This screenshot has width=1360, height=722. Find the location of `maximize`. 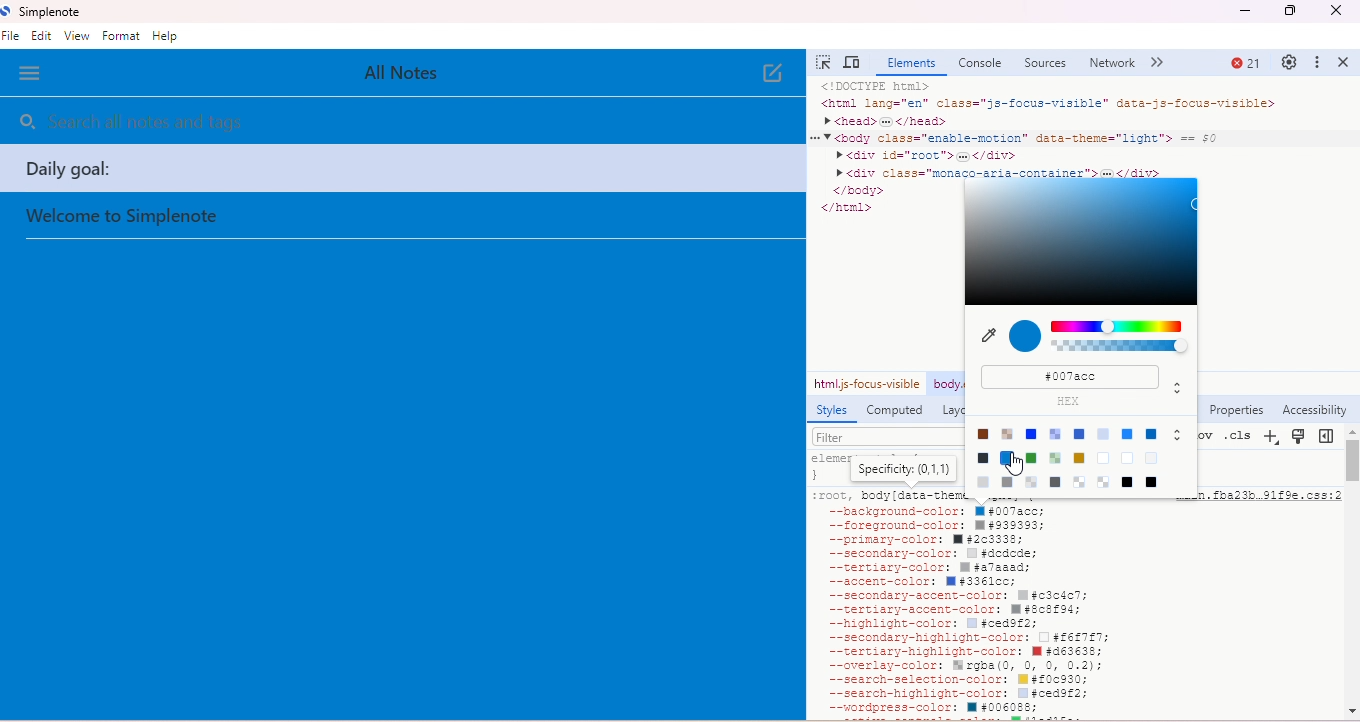

maximize is located at coordinates (1291, 13).